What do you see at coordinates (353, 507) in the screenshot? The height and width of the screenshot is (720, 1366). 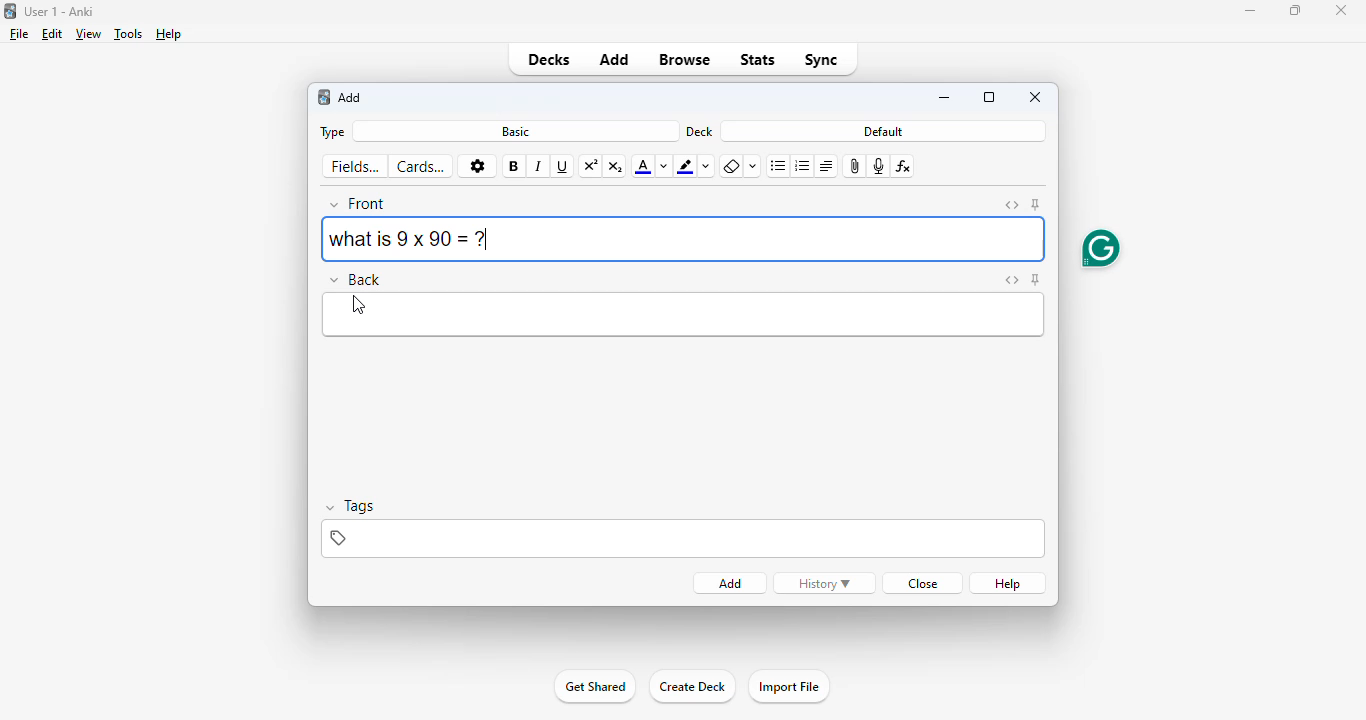 I see `tags` at bounding box center [353, 507].